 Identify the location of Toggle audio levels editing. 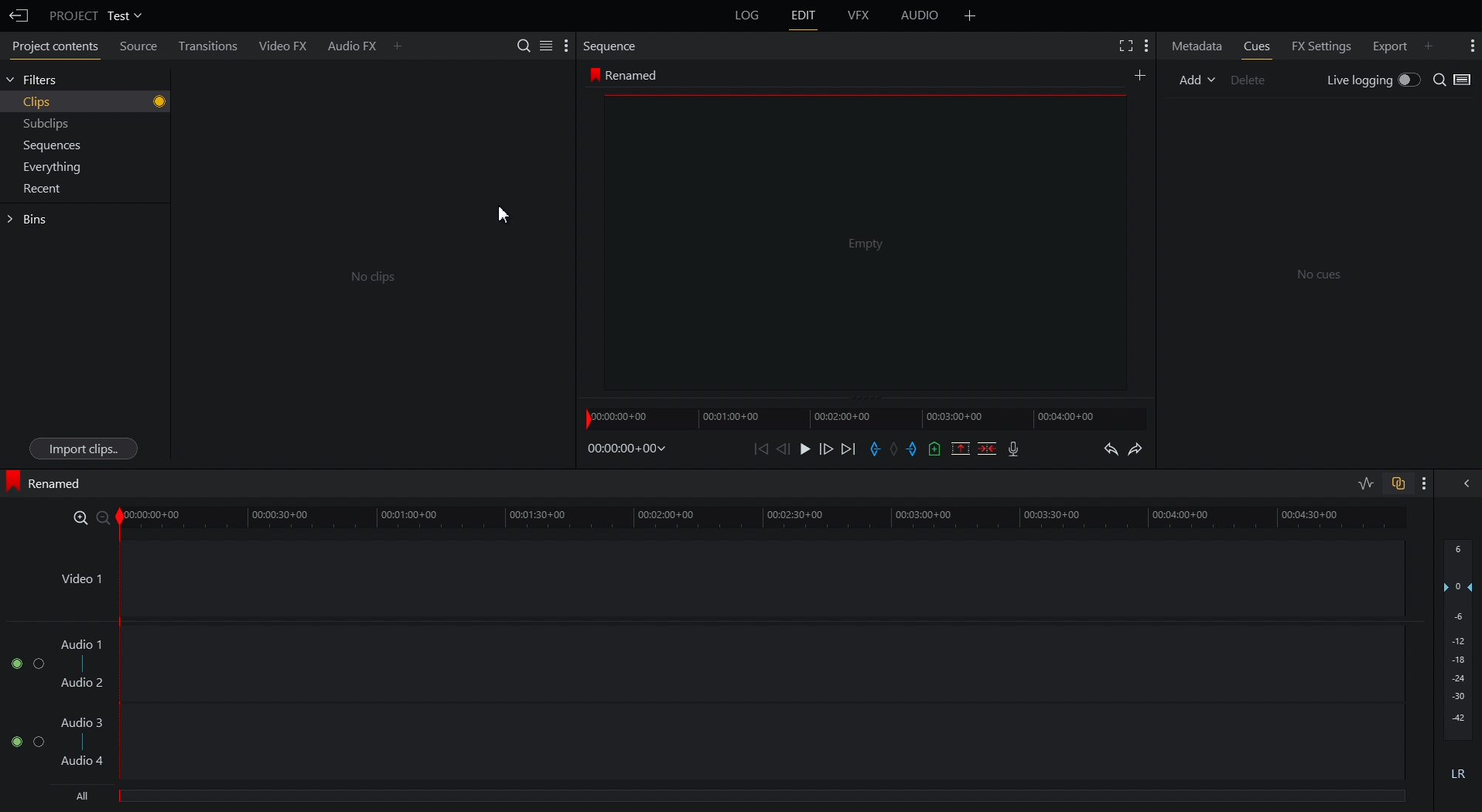
(1361, 482).